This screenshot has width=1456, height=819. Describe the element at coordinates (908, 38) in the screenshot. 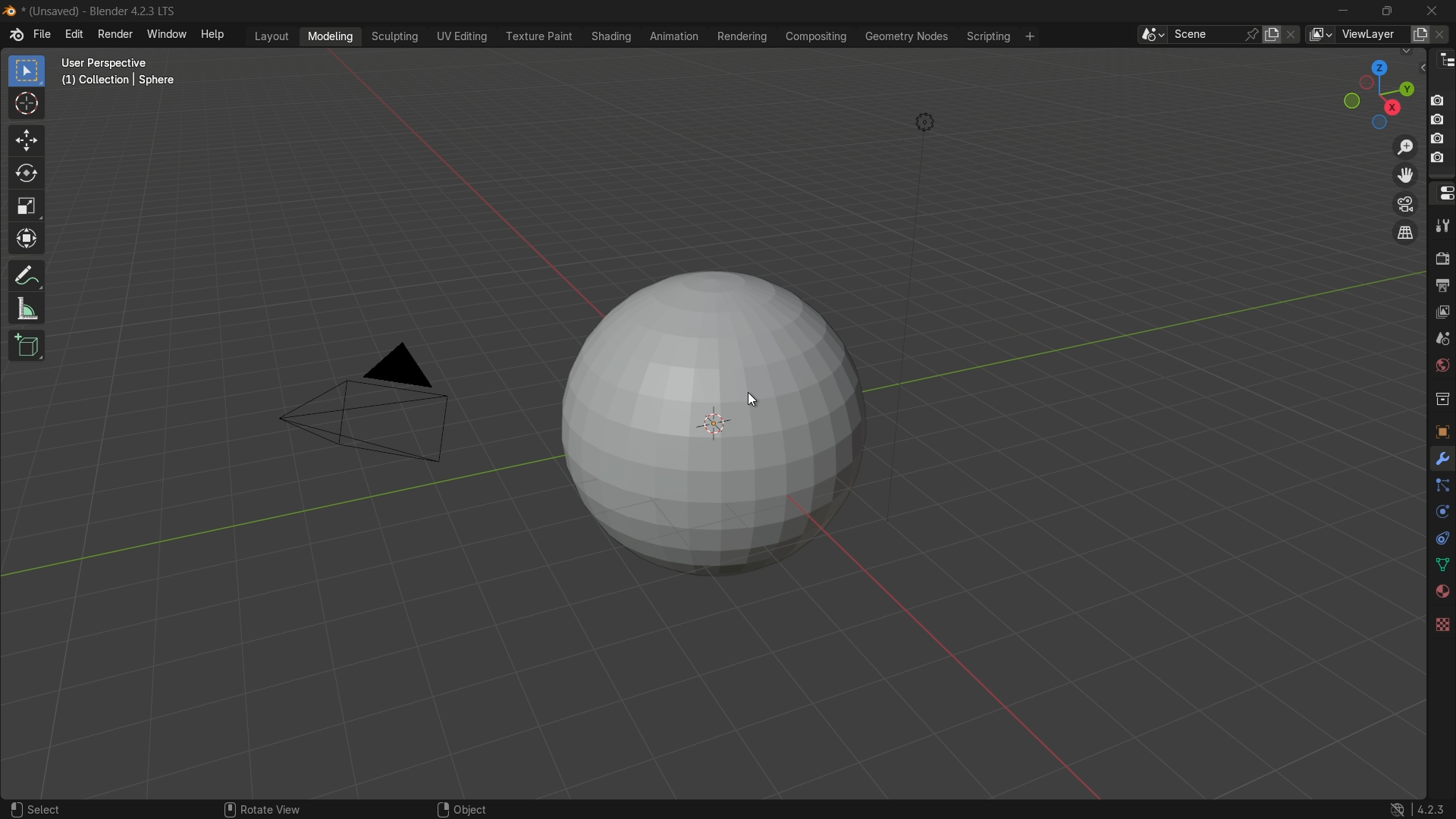

I see `geometry nodes menu` at that location.